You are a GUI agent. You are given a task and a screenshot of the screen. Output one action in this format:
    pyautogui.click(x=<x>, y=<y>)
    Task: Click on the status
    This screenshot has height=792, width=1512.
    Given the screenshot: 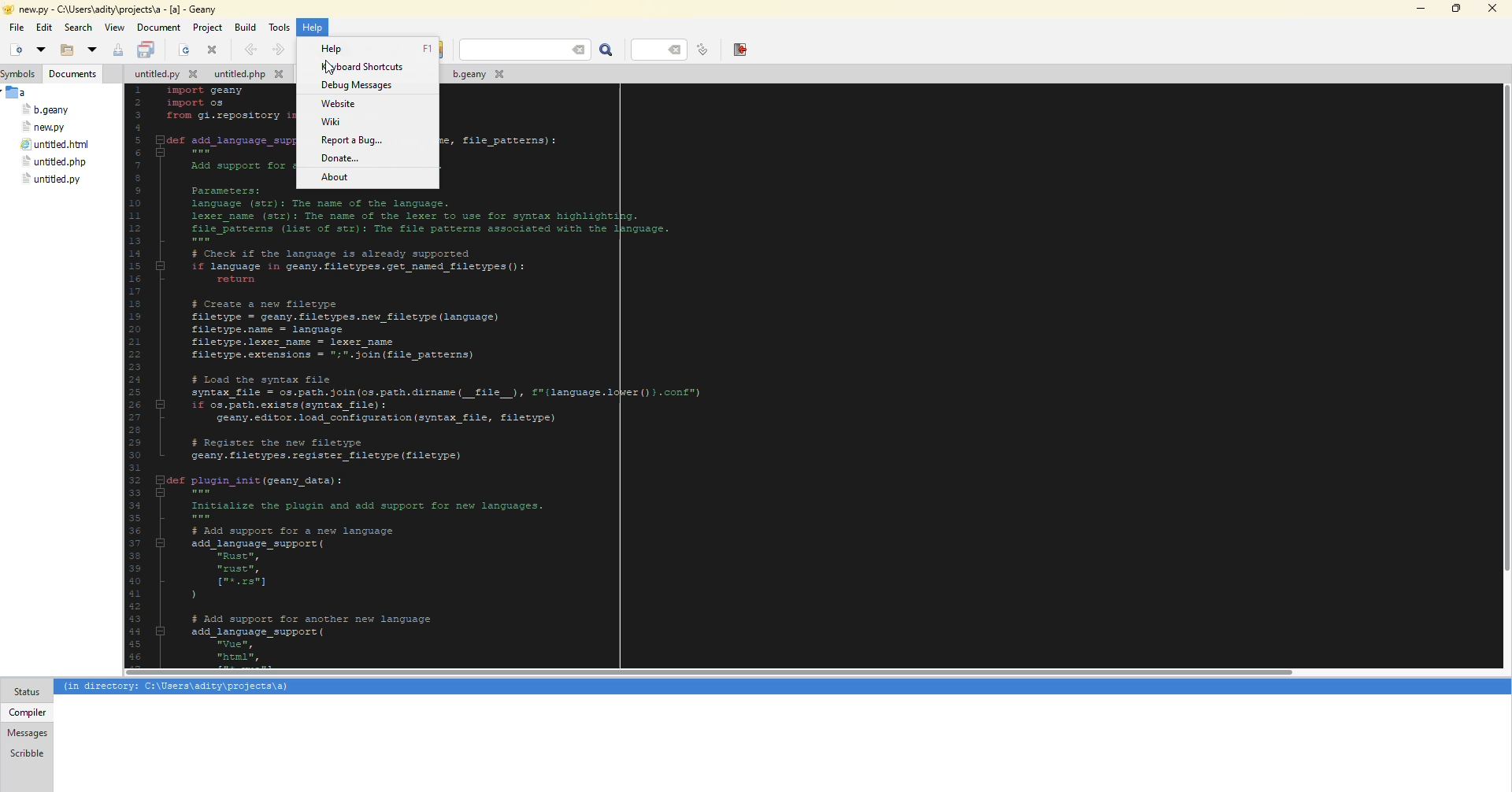 What is the action you would take?
    pyautogui.click(x=27, y=692)
    